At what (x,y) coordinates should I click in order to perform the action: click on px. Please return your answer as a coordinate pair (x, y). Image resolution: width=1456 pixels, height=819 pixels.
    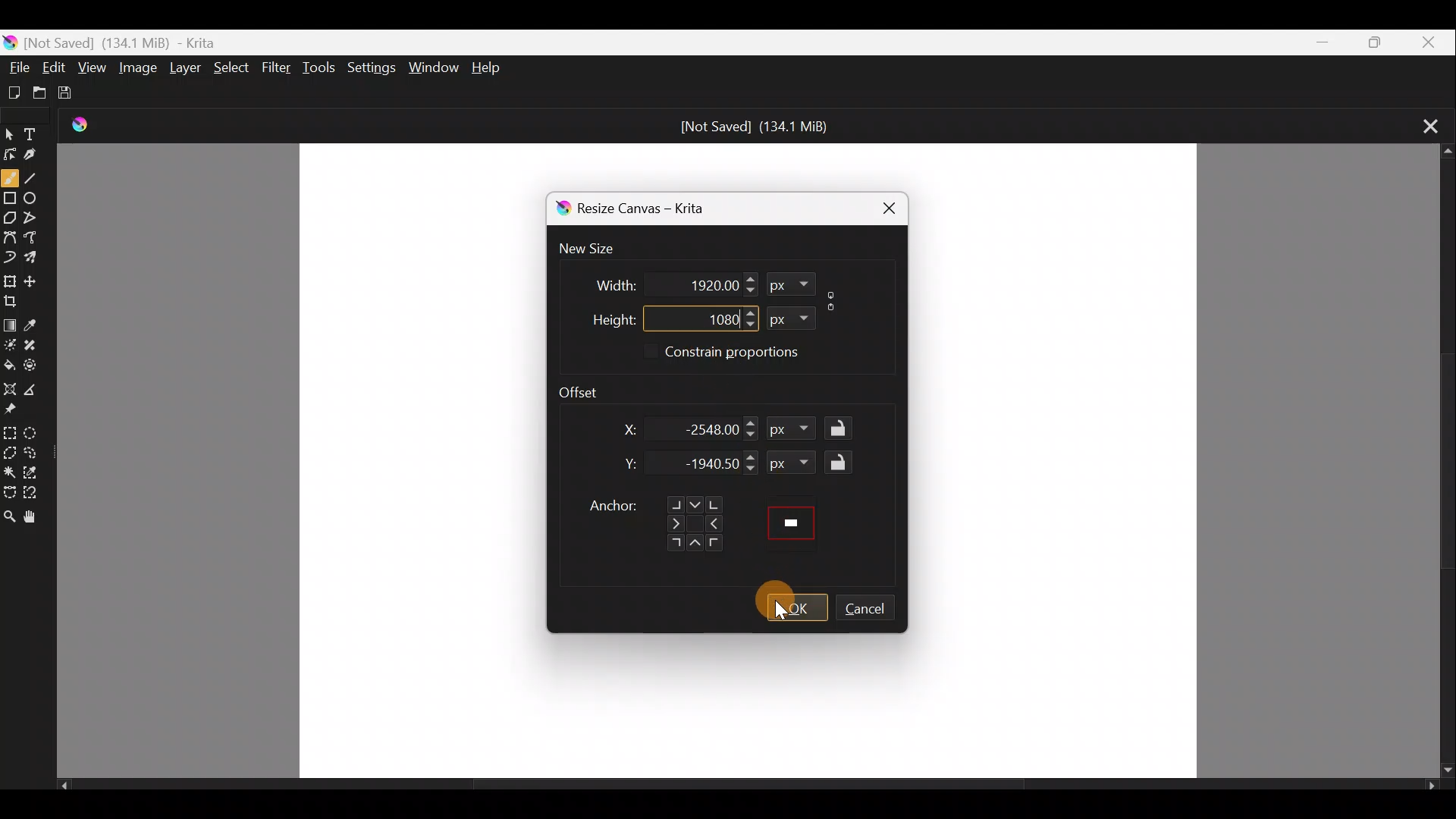
    Looking at the image, I should click on (787, 316).